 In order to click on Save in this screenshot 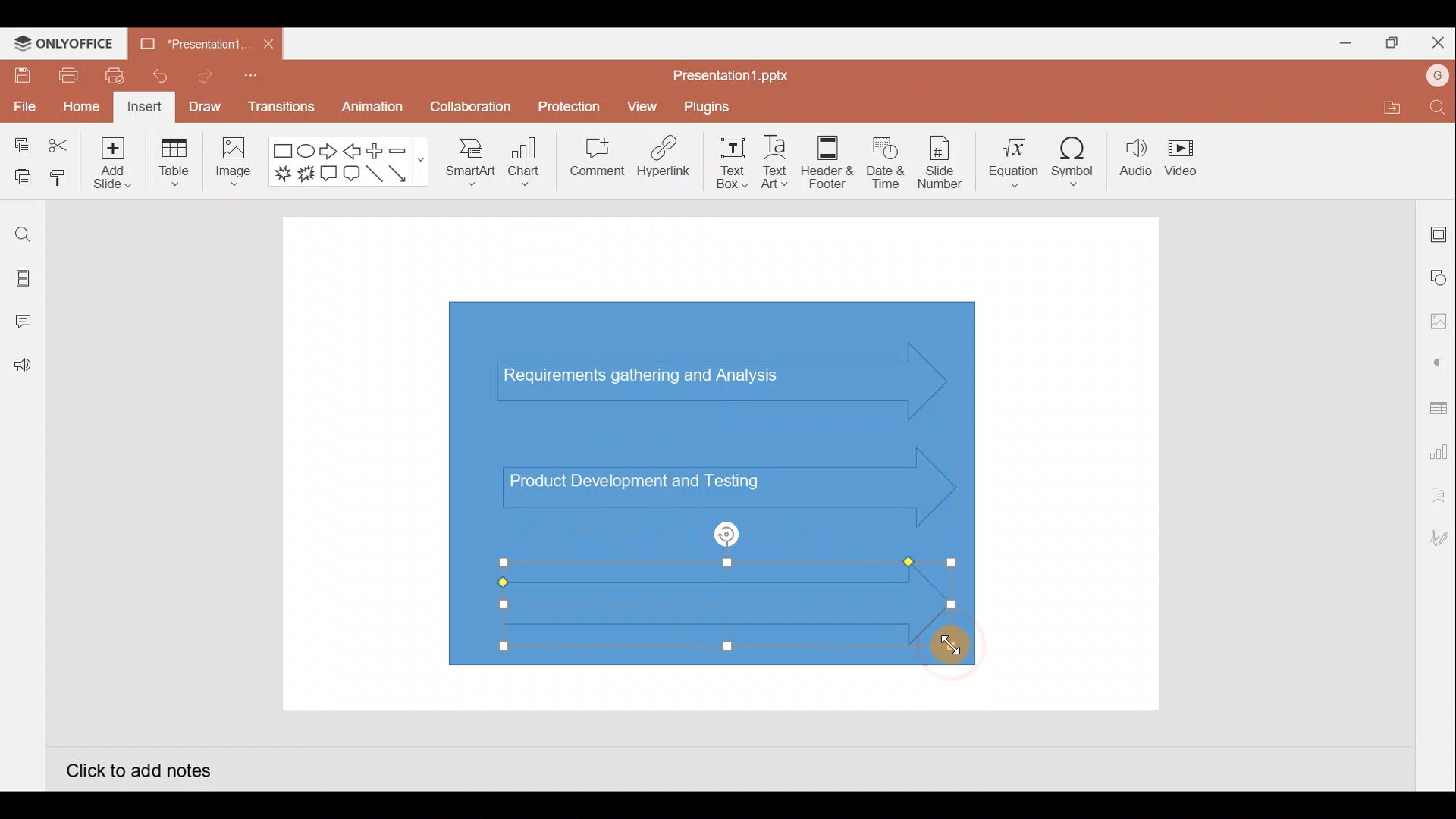, I will do `click(20, 74)`.